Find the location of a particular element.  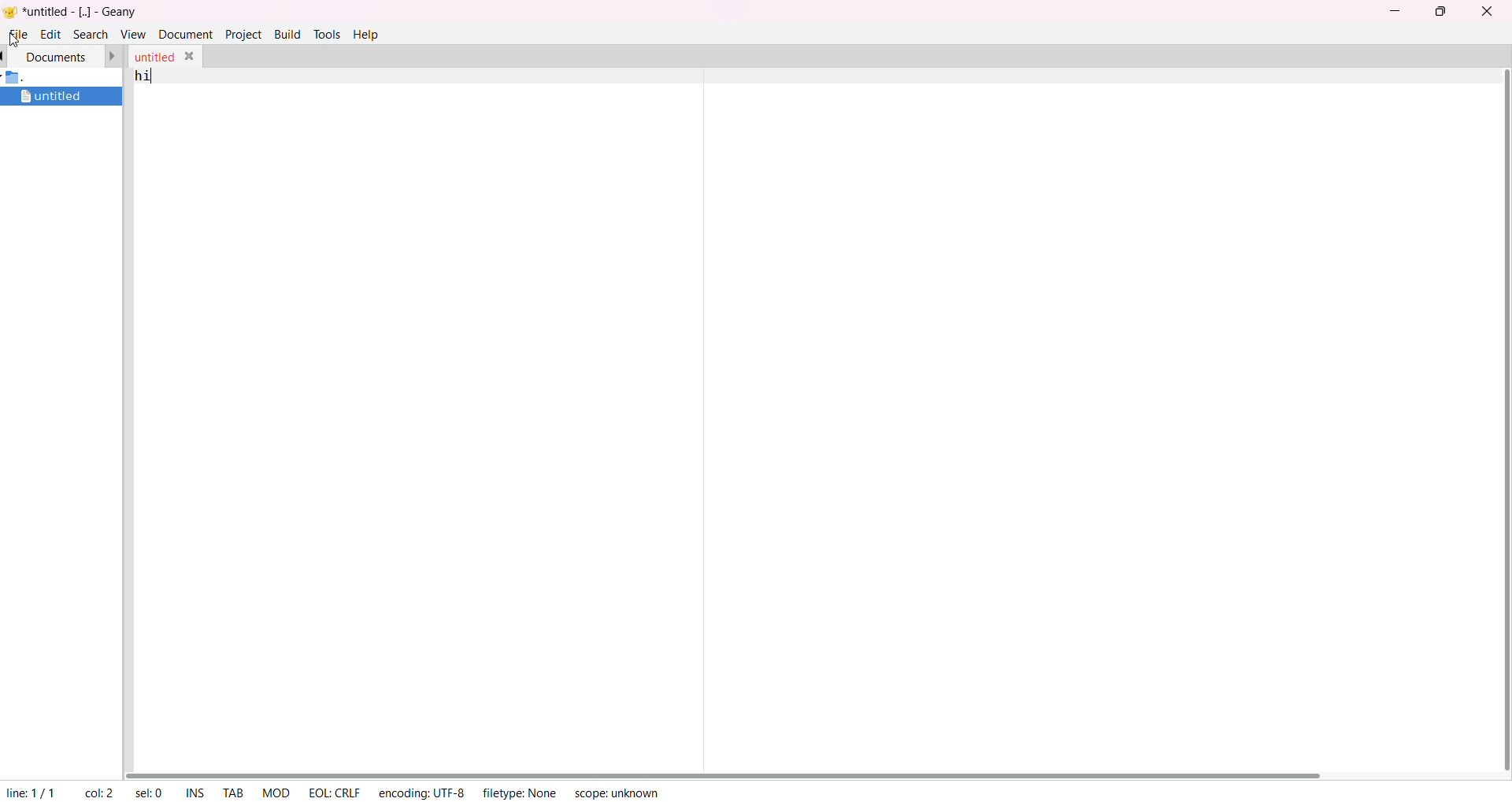

untitled file is located at coordinates (54, 96).